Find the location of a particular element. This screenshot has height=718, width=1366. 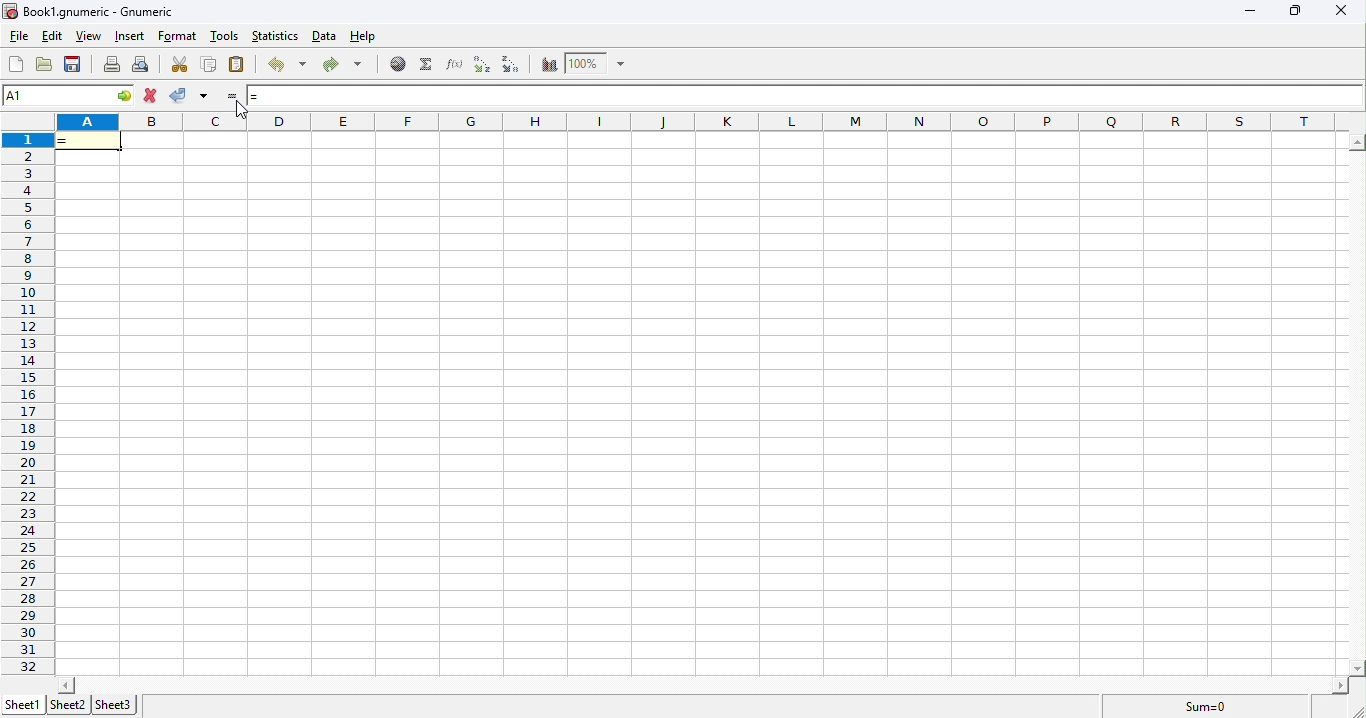

Cursor is located at coordinates (238, 107).